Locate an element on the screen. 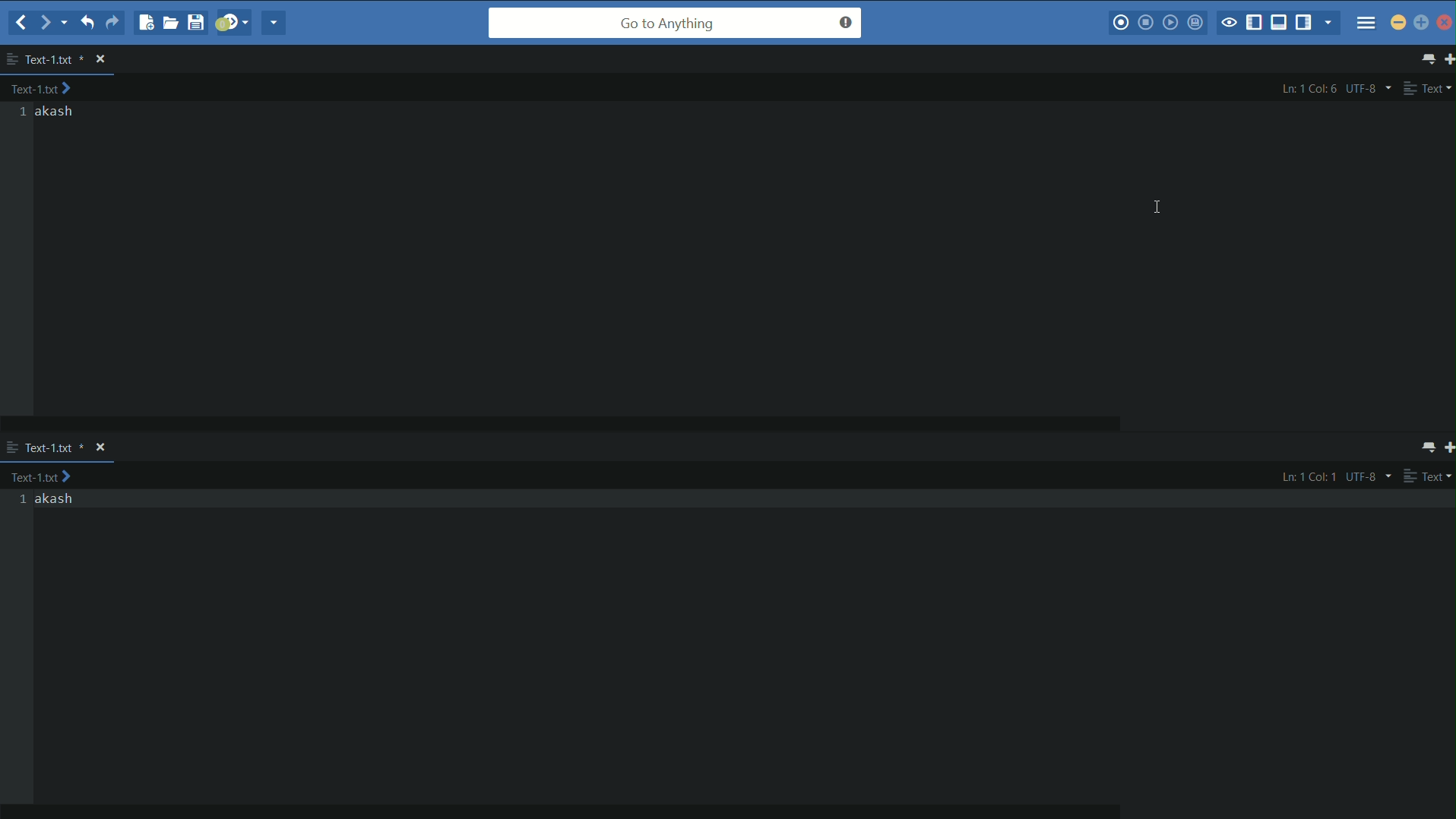  Text-1 File is located at coordinates (55, 448).